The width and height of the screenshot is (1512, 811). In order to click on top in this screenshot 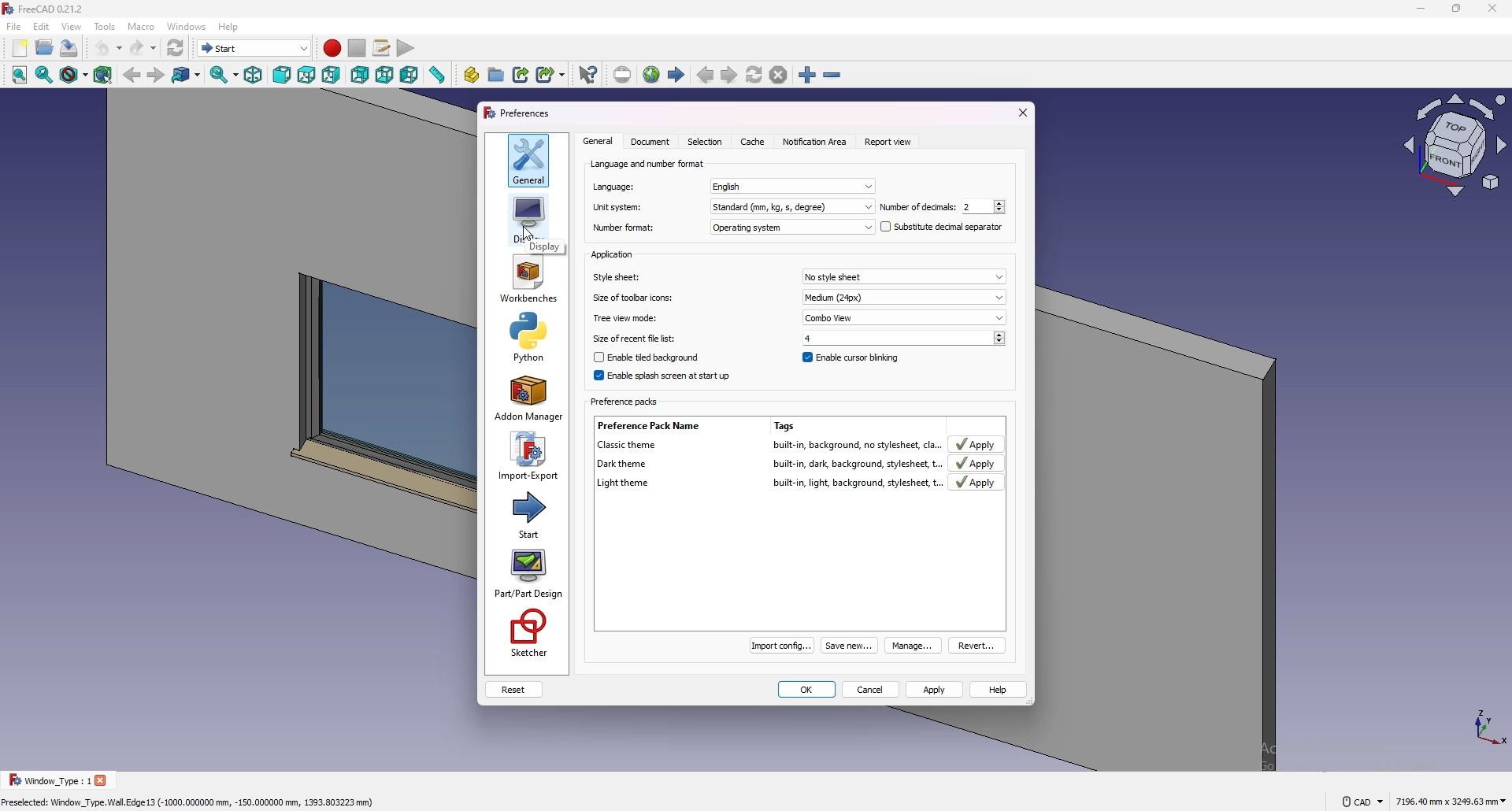, I will do `click(306, 76)`.